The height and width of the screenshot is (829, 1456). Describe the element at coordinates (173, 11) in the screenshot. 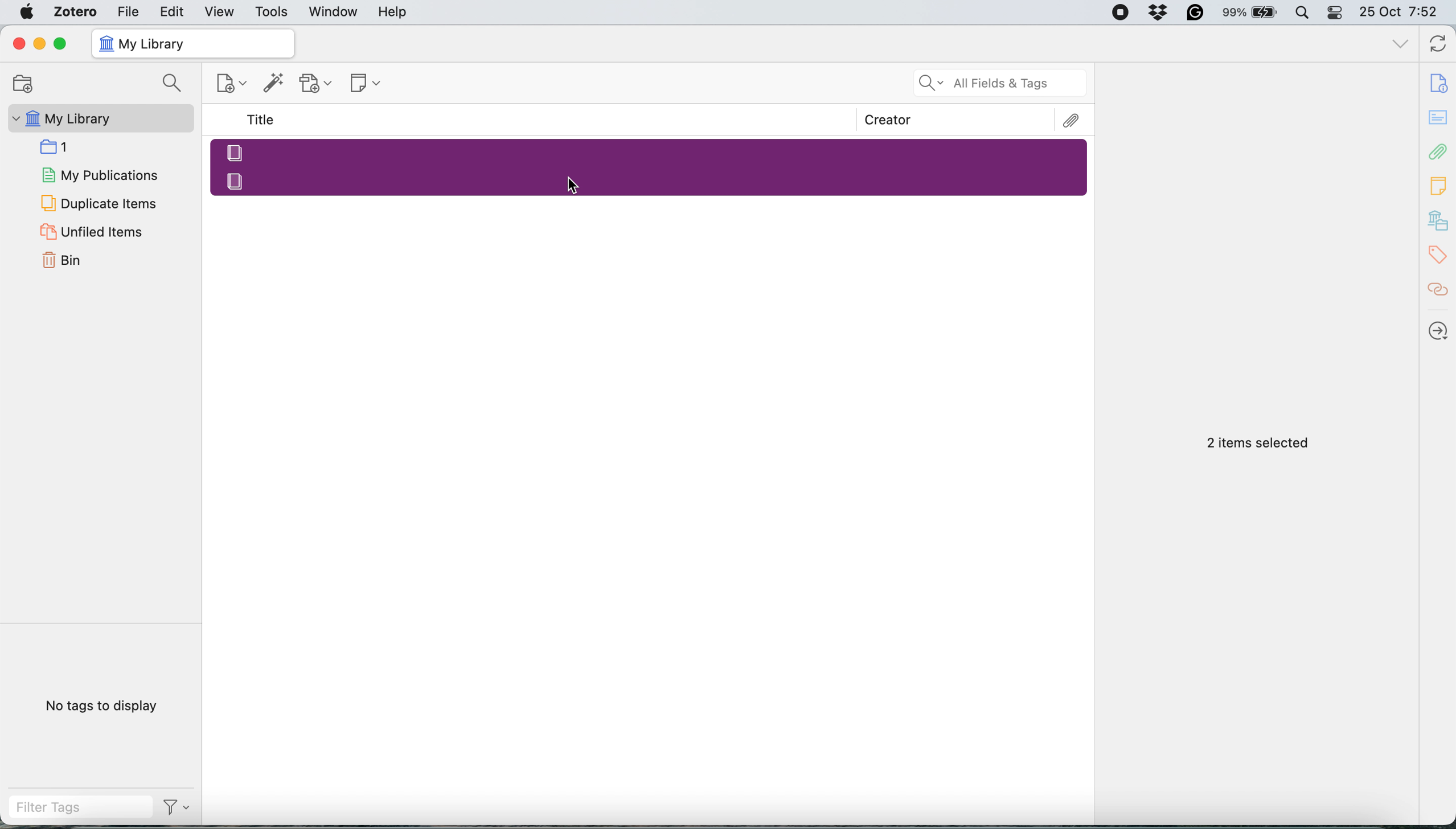

I see `Edit` at that location.